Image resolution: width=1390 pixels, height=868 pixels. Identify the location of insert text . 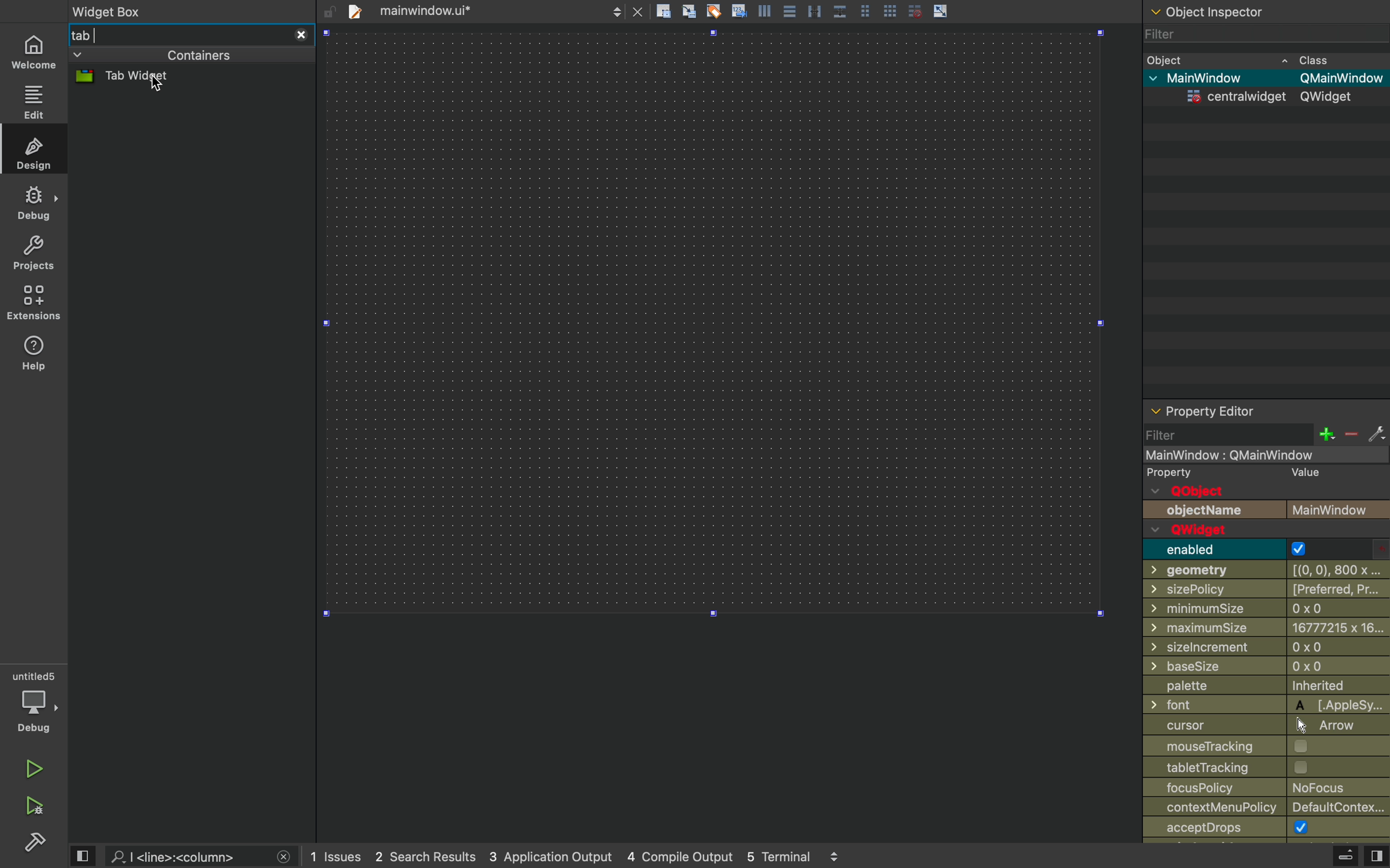
(738, 10).